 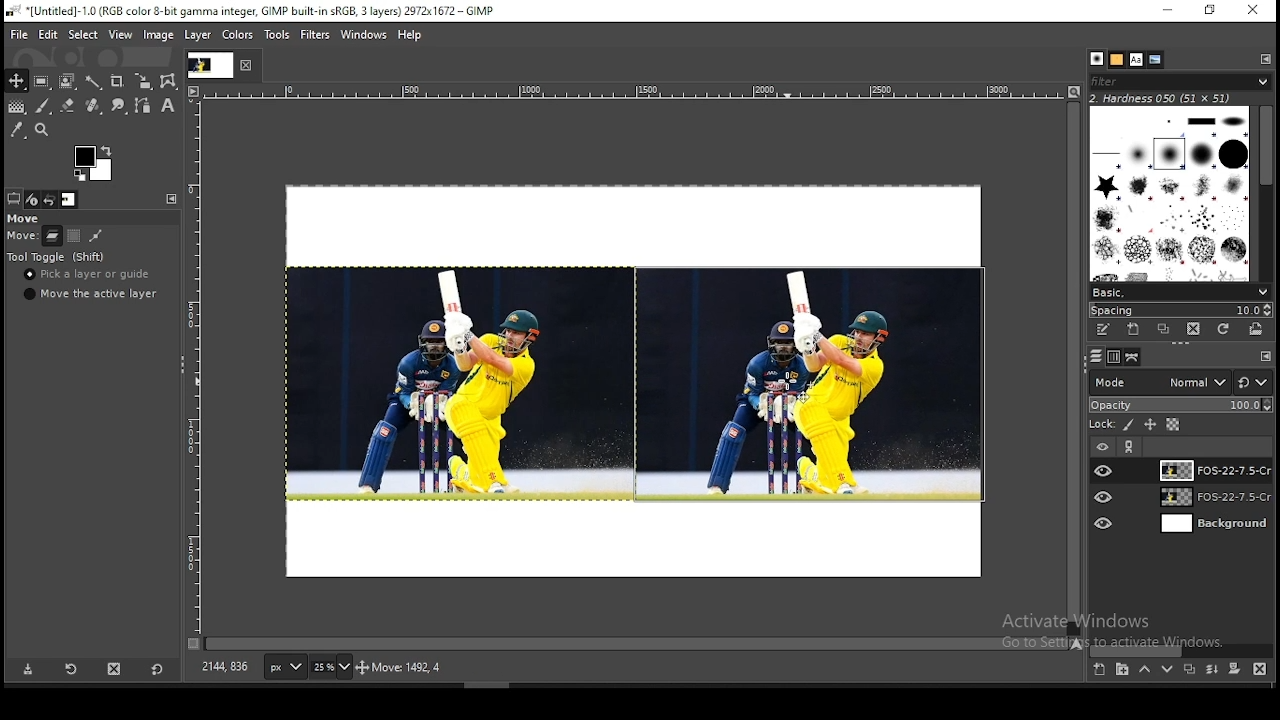 I want to click on layer visibility on/off, so click(x=1105, y=521).